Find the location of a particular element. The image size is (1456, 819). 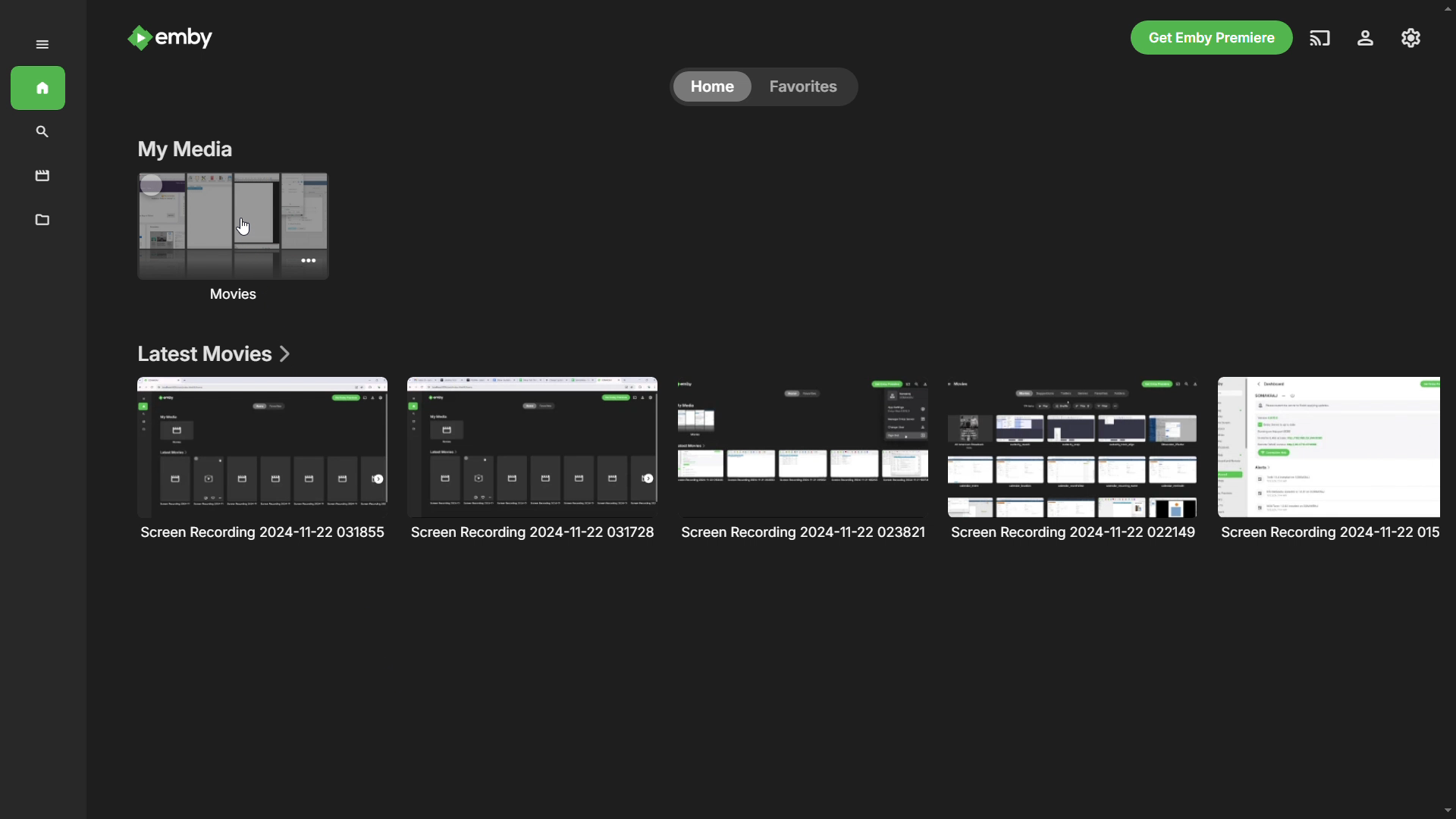

account is located at coordinates (1363, 39).